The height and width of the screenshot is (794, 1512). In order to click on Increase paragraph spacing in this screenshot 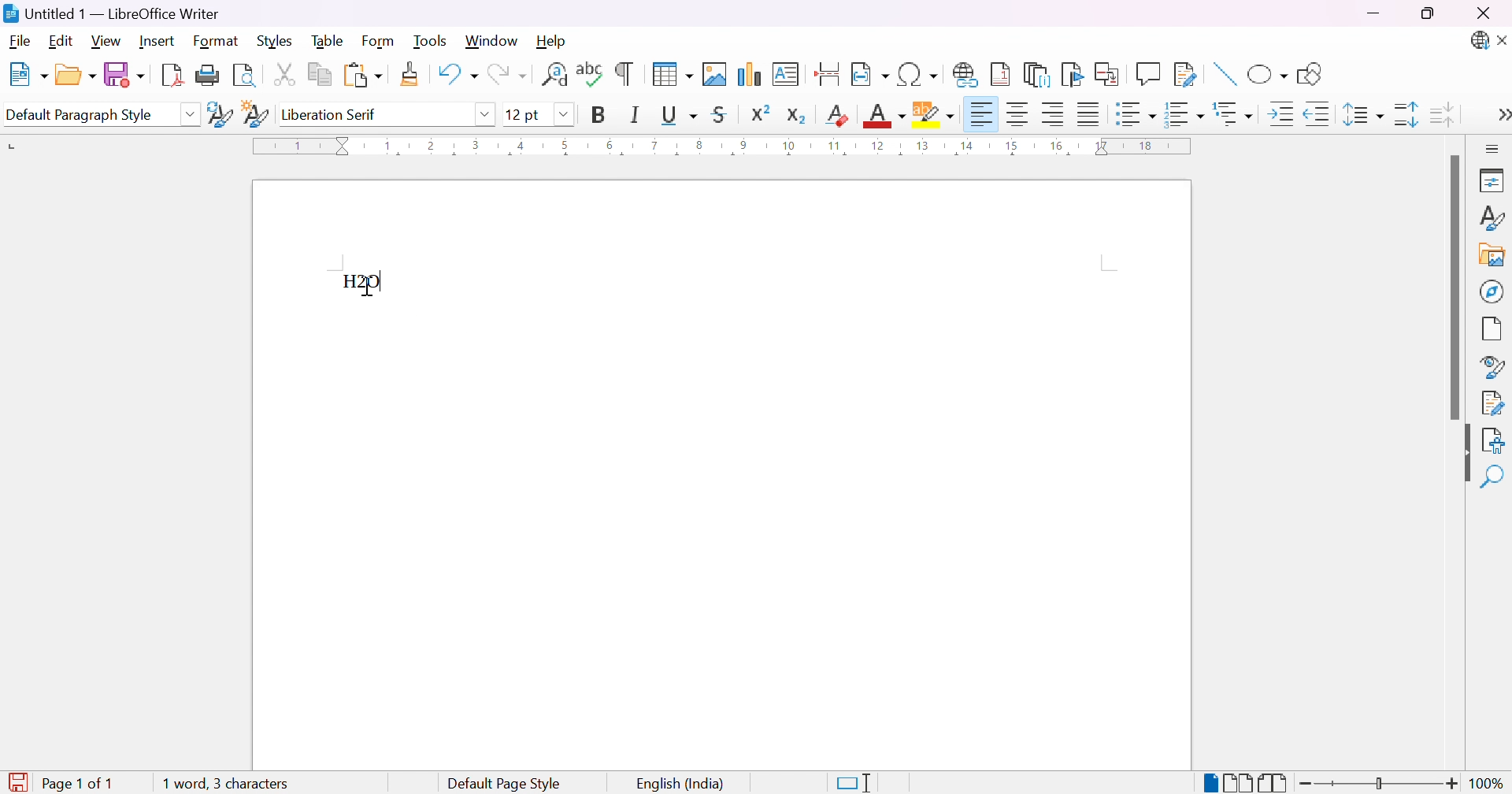, I will do `click(1408, 114)`.